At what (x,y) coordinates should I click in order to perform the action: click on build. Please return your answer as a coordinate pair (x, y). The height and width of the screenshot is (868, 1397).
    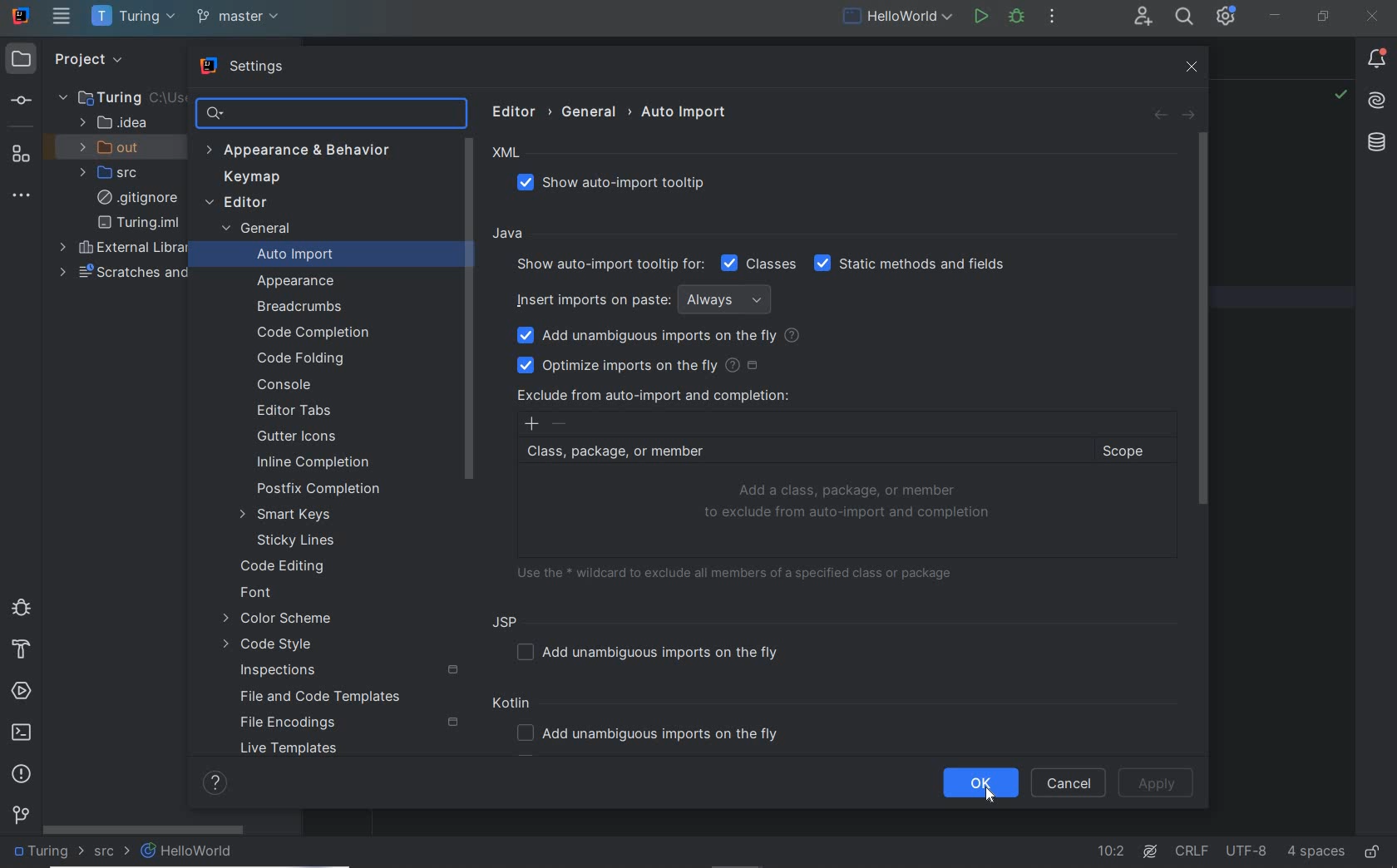
    Looking at the image, I should click on (19, 650).